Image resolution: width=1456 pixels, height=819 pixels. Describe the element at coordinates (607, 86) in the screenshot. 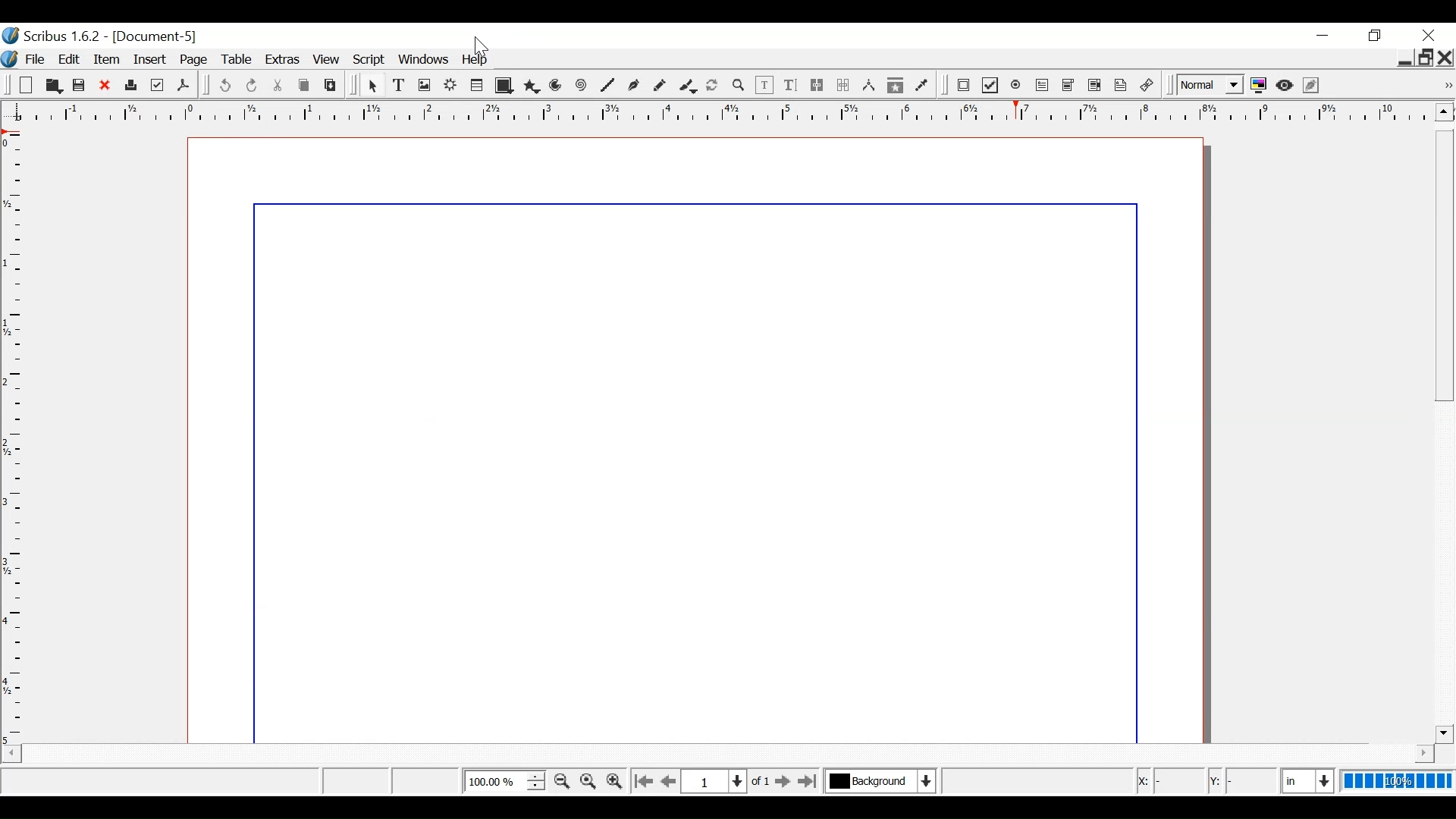

I see `Line` at that location.